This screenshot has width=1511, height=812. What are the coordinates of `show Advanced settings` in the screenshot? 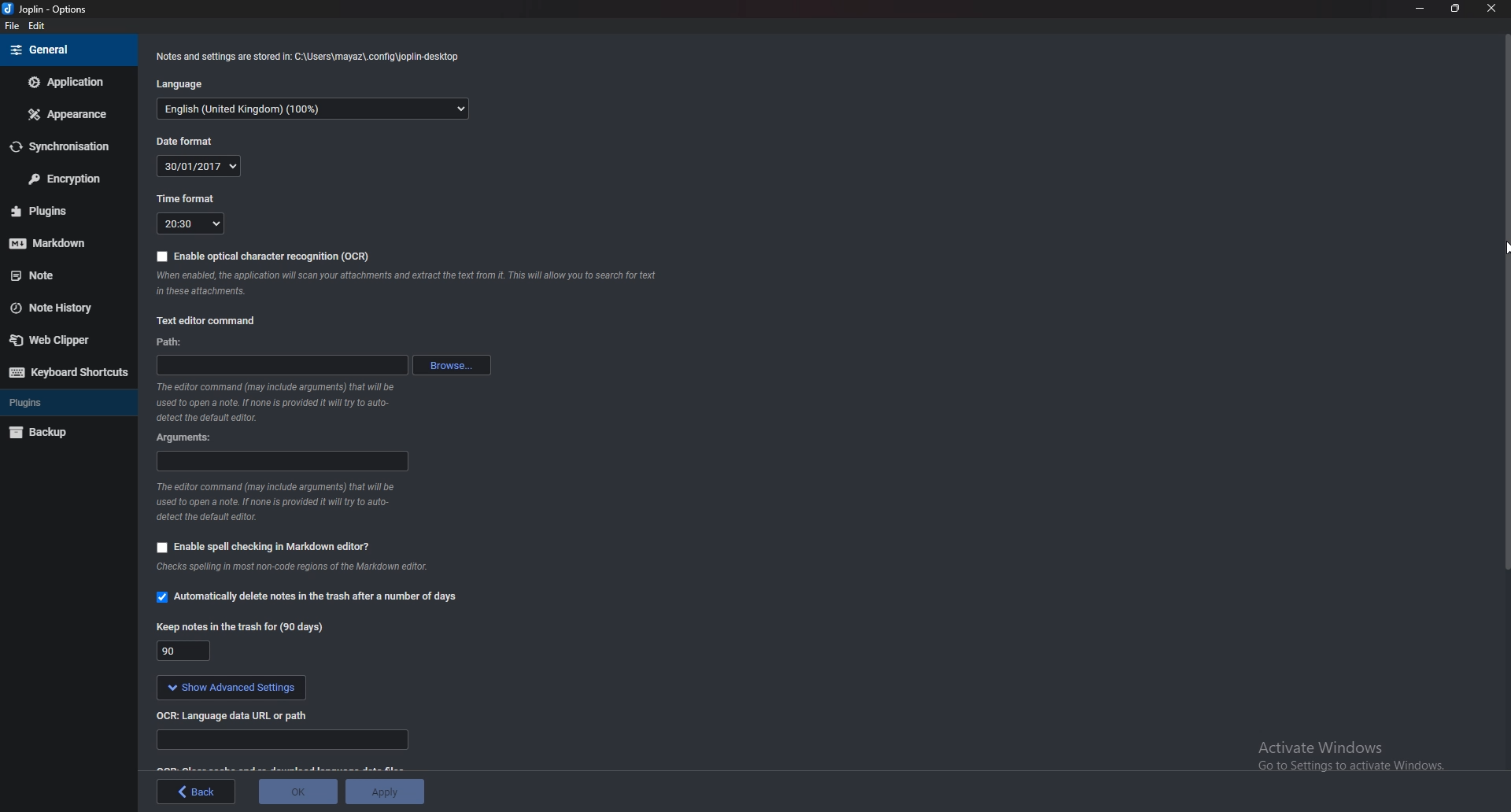 It's located at (232, 687).